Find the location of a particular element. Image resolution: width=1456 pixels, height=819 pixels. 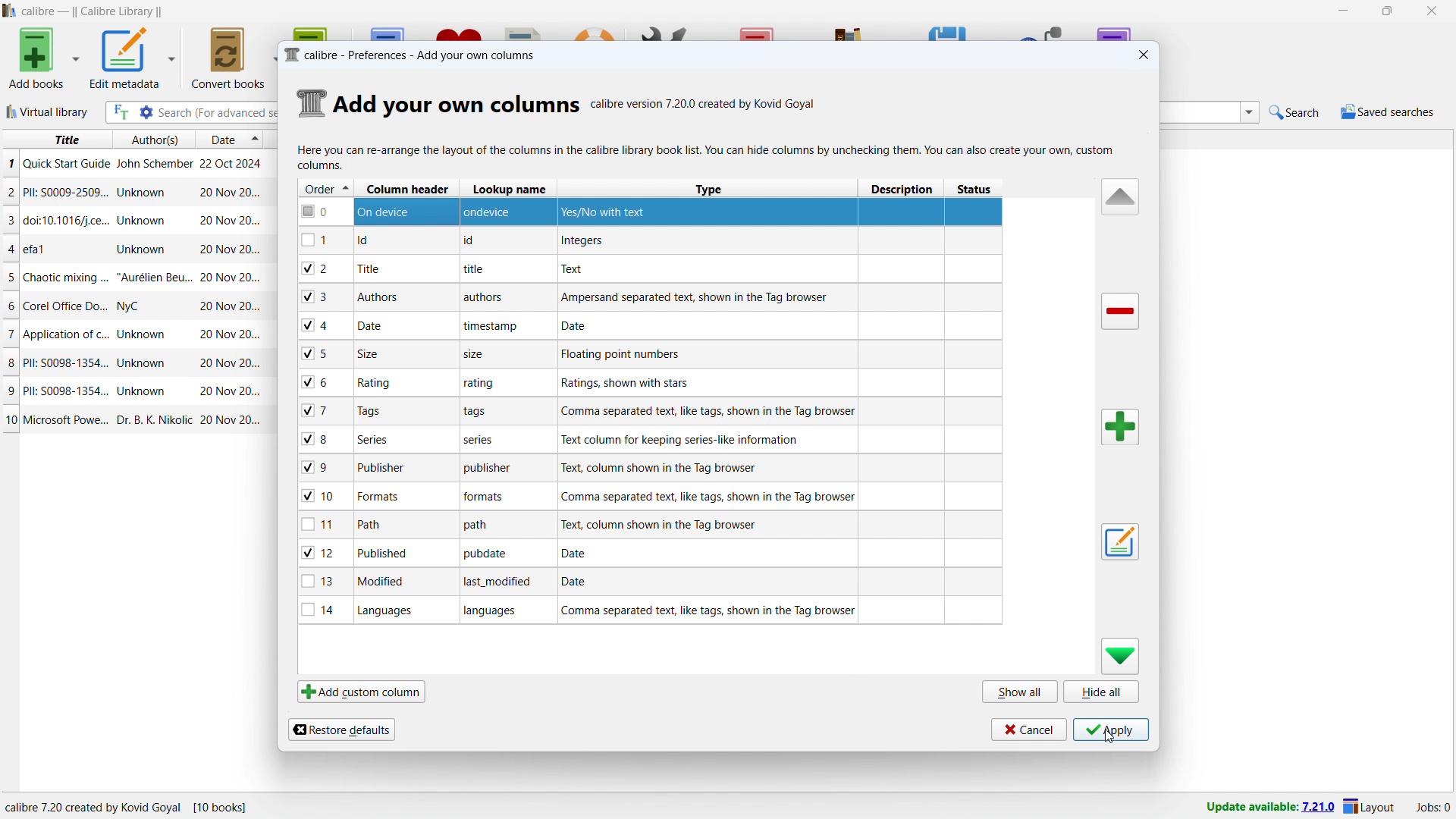

Formats formats. Comma separated text, like tags, shown in the Tag browser is located at coordinates (643, 494).